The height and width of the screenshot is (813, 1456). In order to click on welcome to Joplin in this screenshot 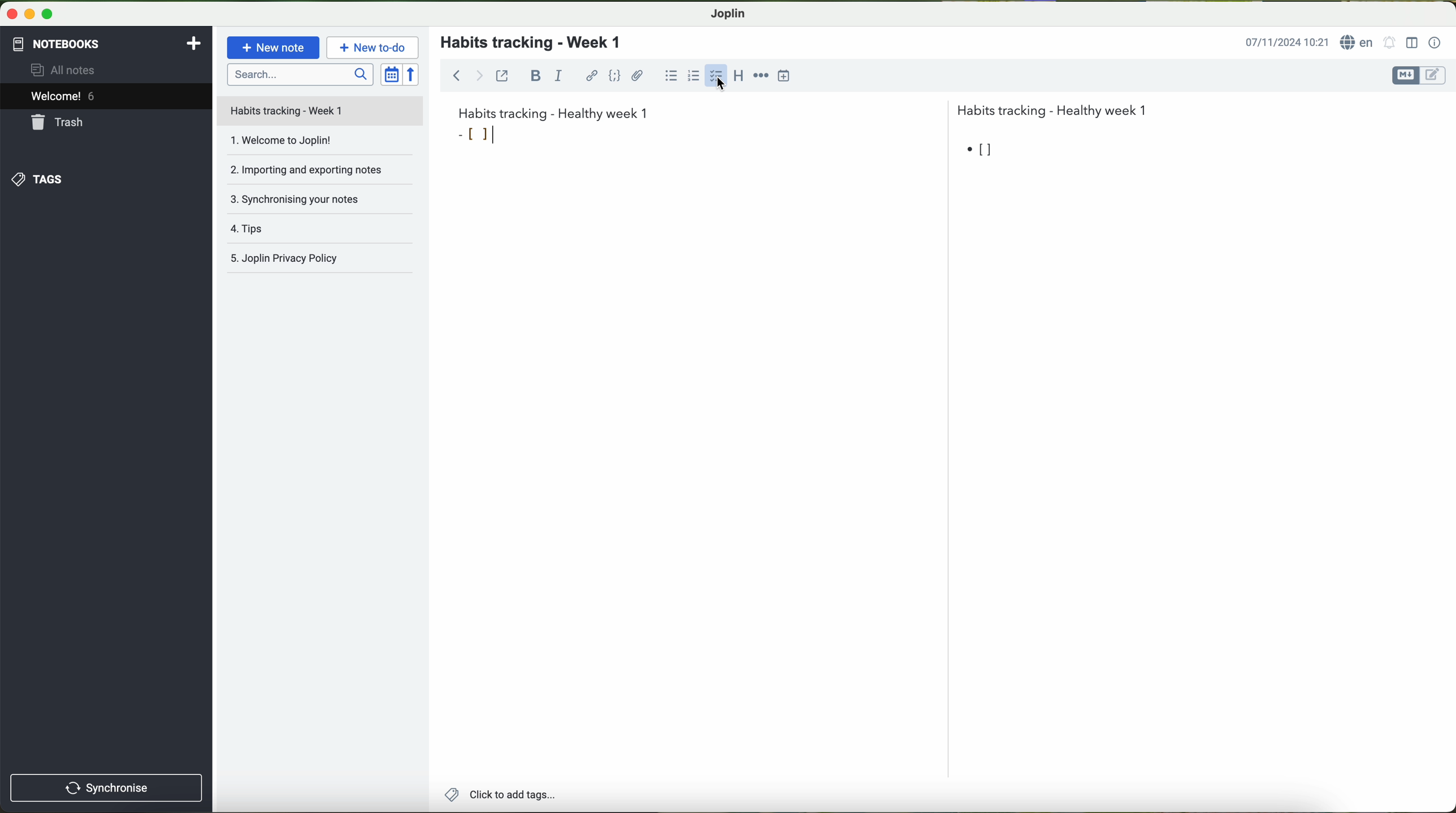, I will do `click(319, 145)`.